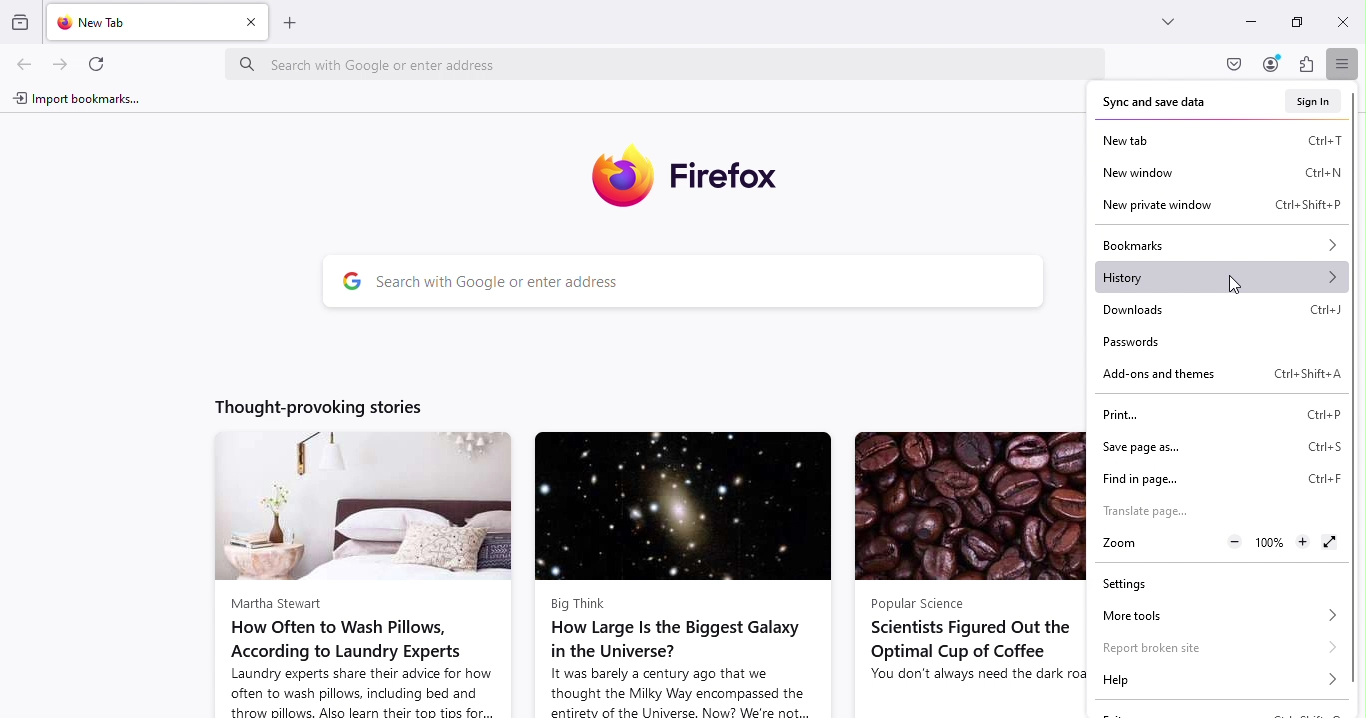 This screenshot has height=718, width=1366. What do you see at coordinates (1217, 645) in the screenshot?
I see `Report broken site` at bounding box center [1217, 645].